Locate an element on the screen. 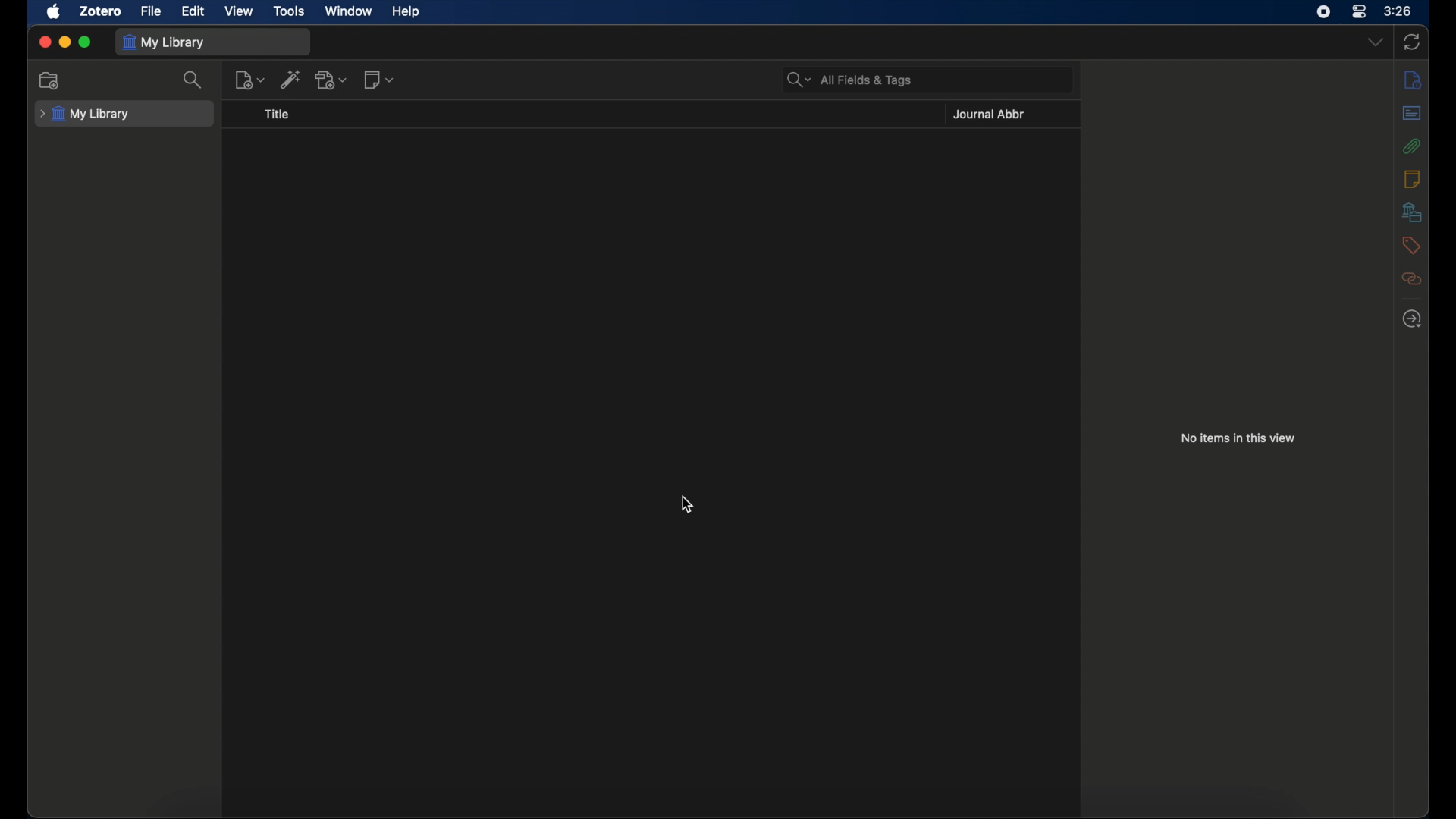 This screenshot has height=819, width=1456. related is located at coordinates (1414, 278).